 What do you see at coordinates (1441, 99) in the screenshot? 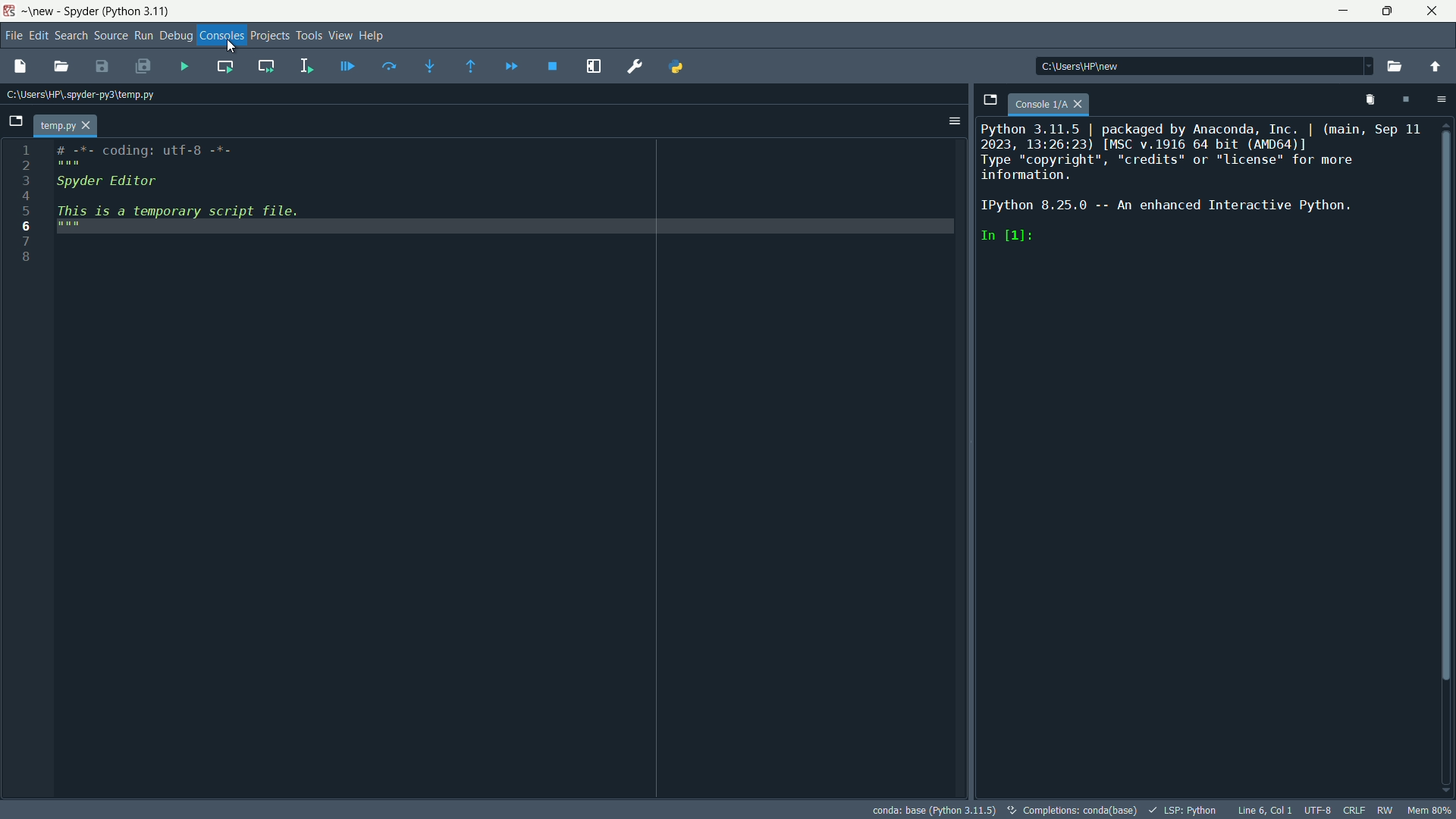
I see `options` at bounding box center [1441, 99].